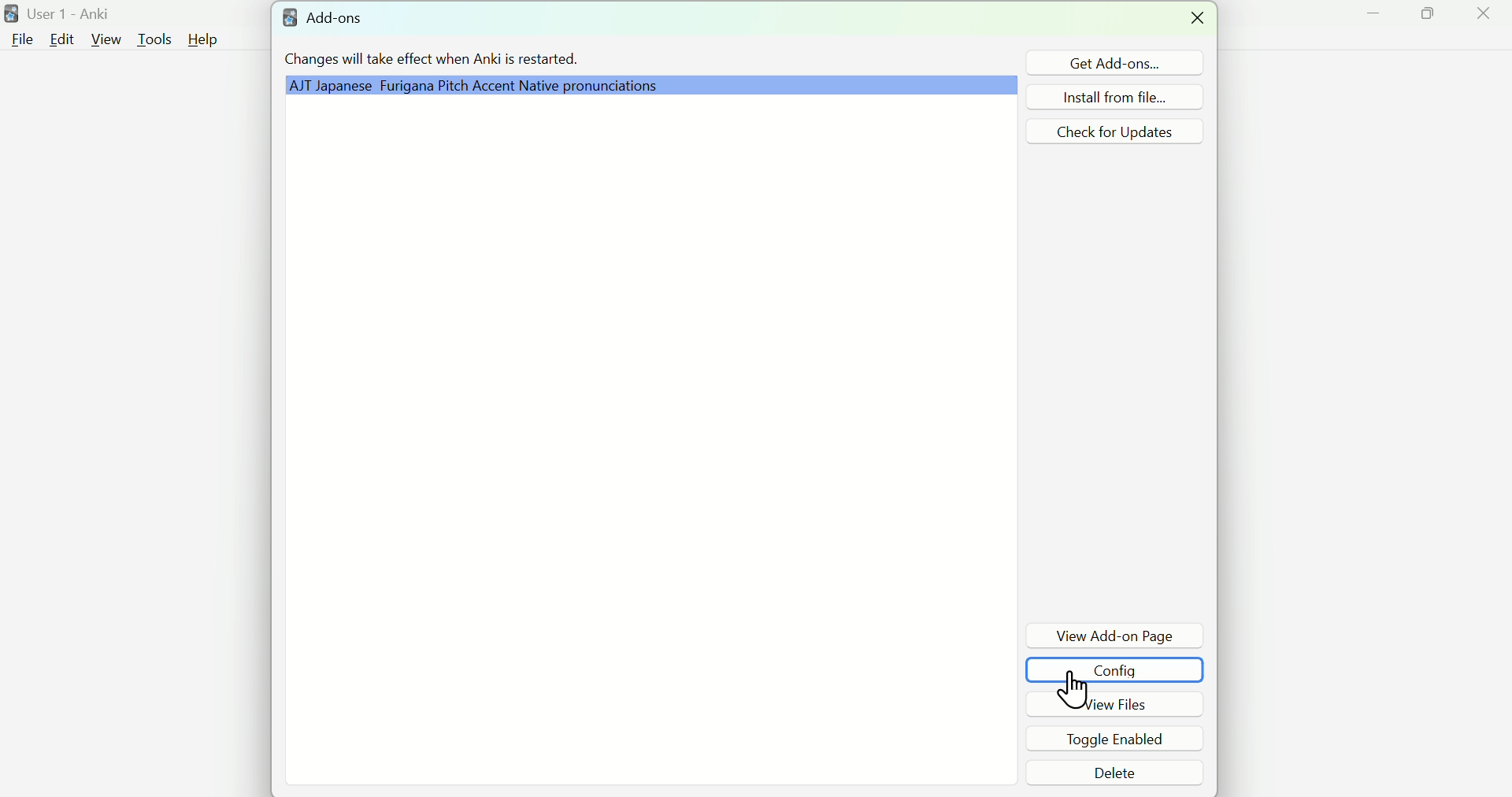  What do you see at coordinates (1121, 59) in the screenshot?
I see `Get Add ons` at bounding box center [1121, 59].